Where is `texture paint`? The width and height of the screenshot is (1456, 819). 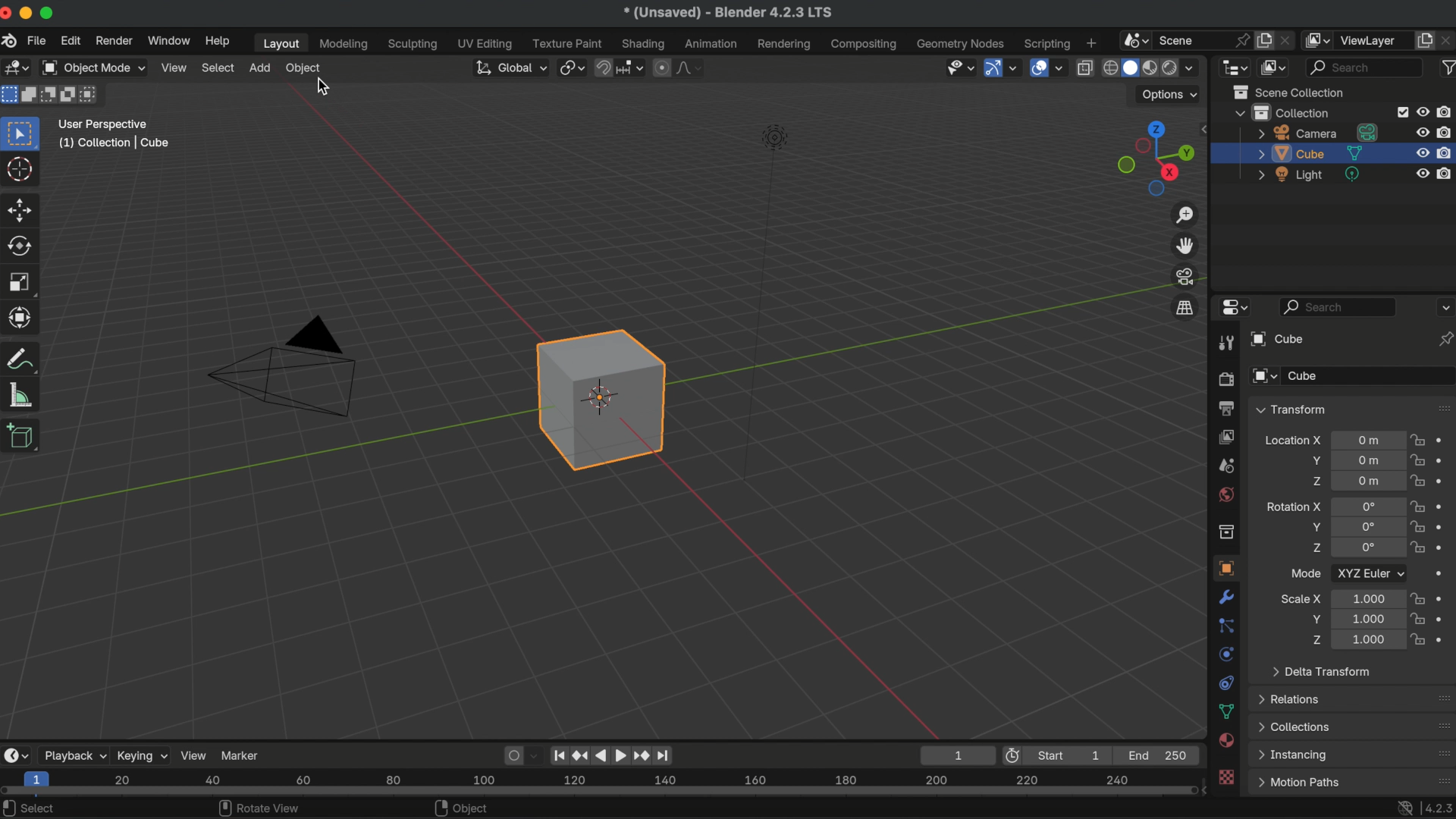
texture paint is located at coordinates (567, 43).